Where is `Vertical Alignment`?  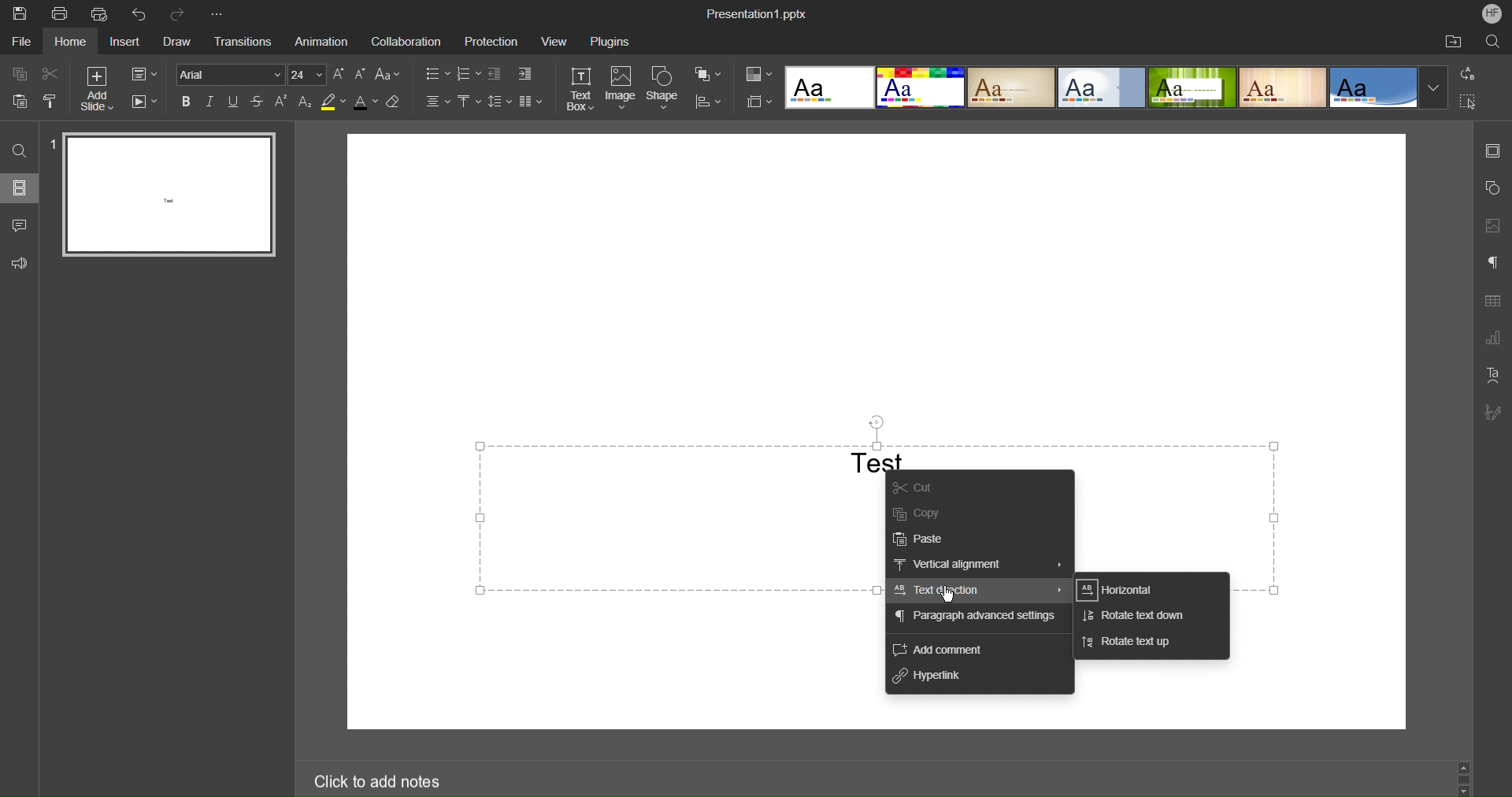 Vertical Alignment is located at coordinates (469, 103).